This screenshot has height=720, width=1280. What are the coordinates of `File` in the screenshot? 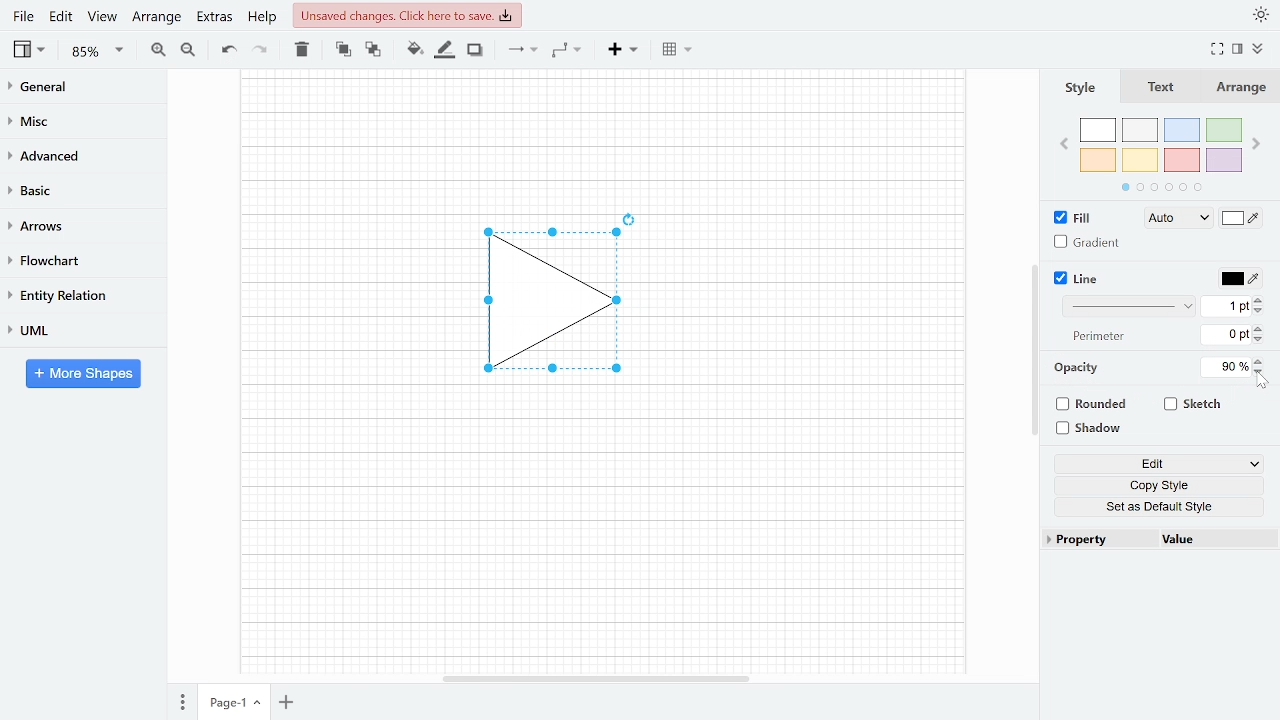 It's located at (23, 16).